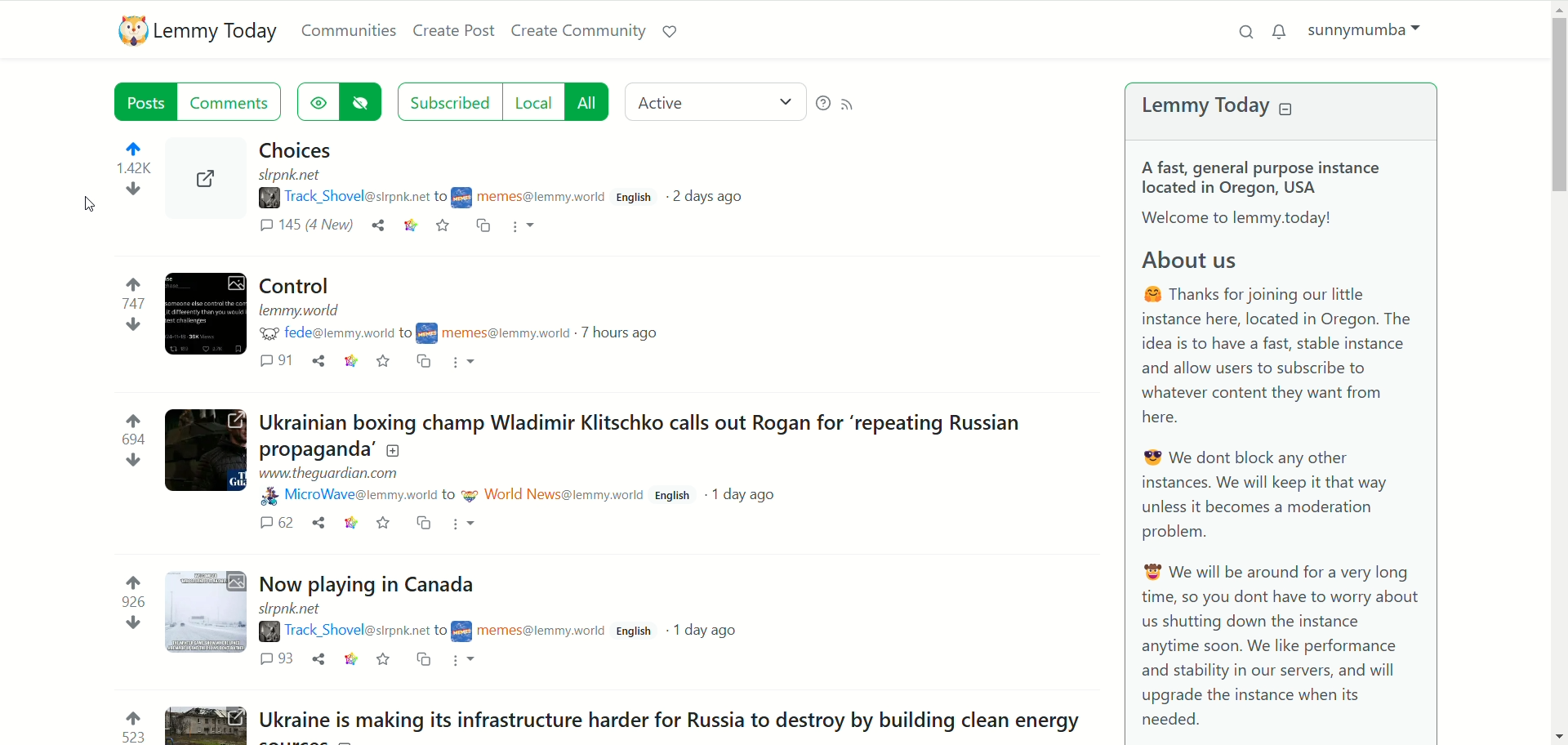 Image resolution: width=1568 pixels, height=745 pixels. Describe the element at coordinates (470, 524) in the screenshot. I see `more` at that location.